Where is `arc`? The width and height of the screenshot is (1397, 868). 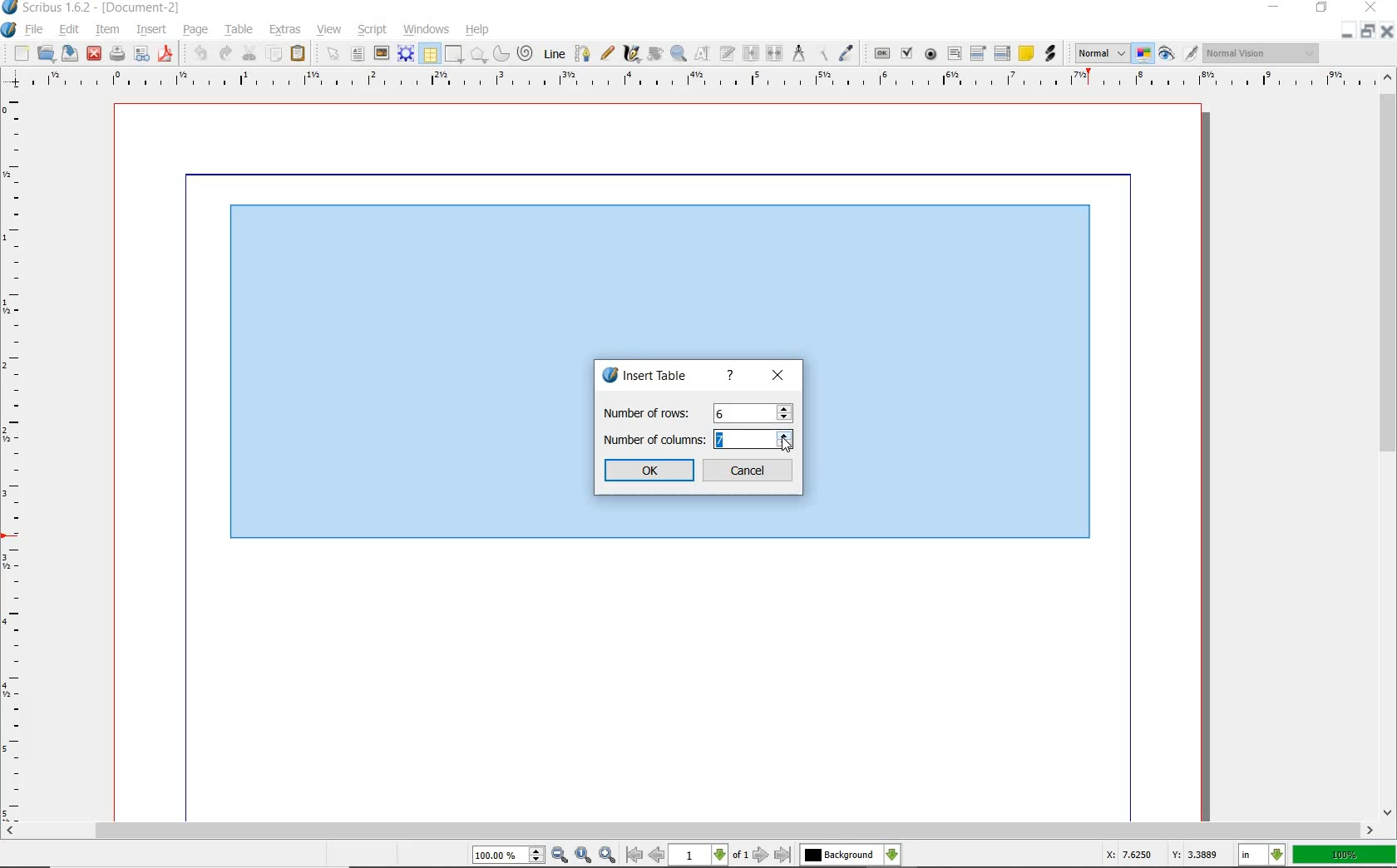 arc is located at coordinates (501, 57).